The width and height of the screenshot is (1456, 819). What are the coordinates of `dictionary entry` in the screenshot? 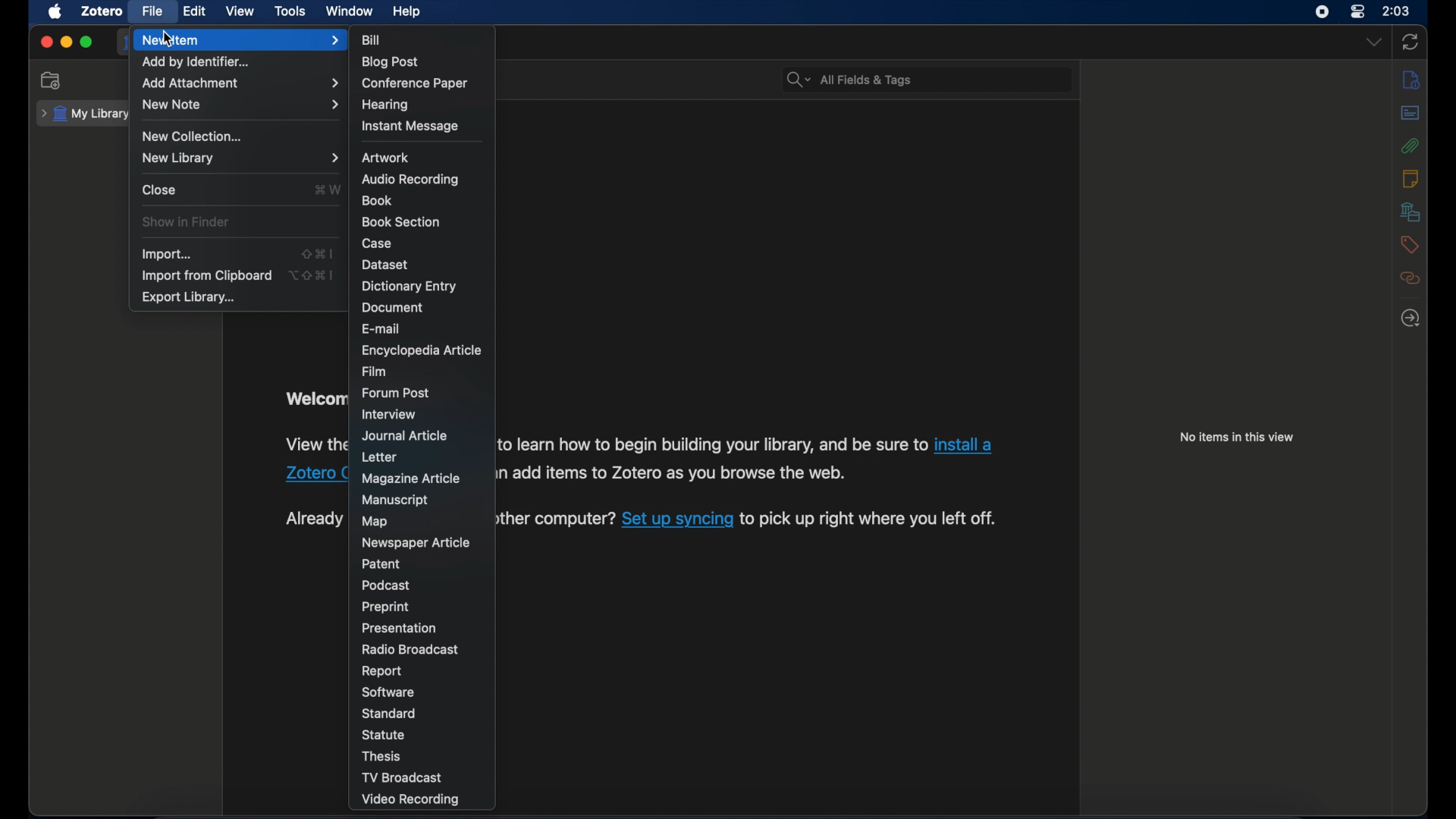 It's located at (409, 287).